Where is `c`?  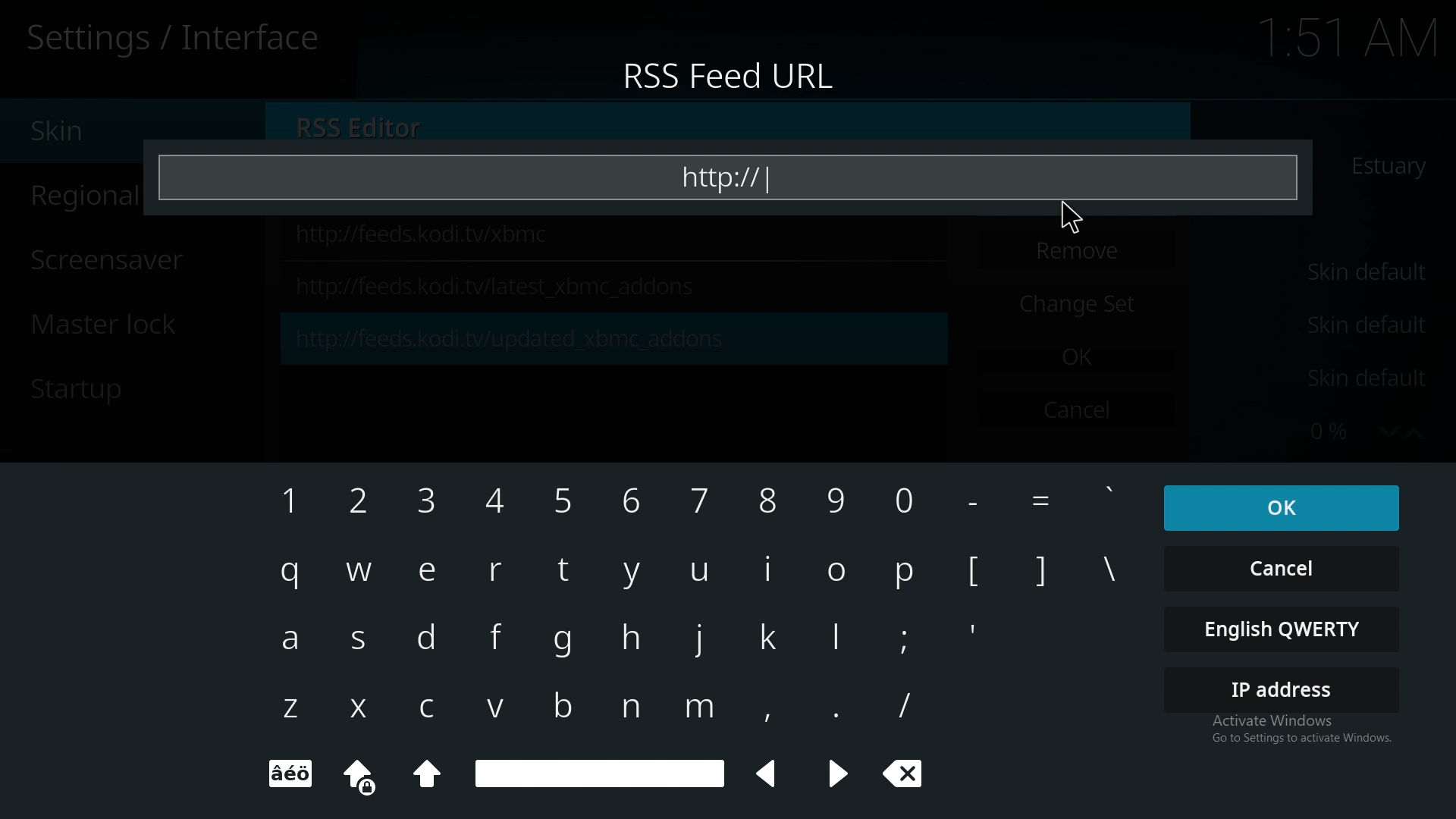
c is located at coordinates (435, 706).